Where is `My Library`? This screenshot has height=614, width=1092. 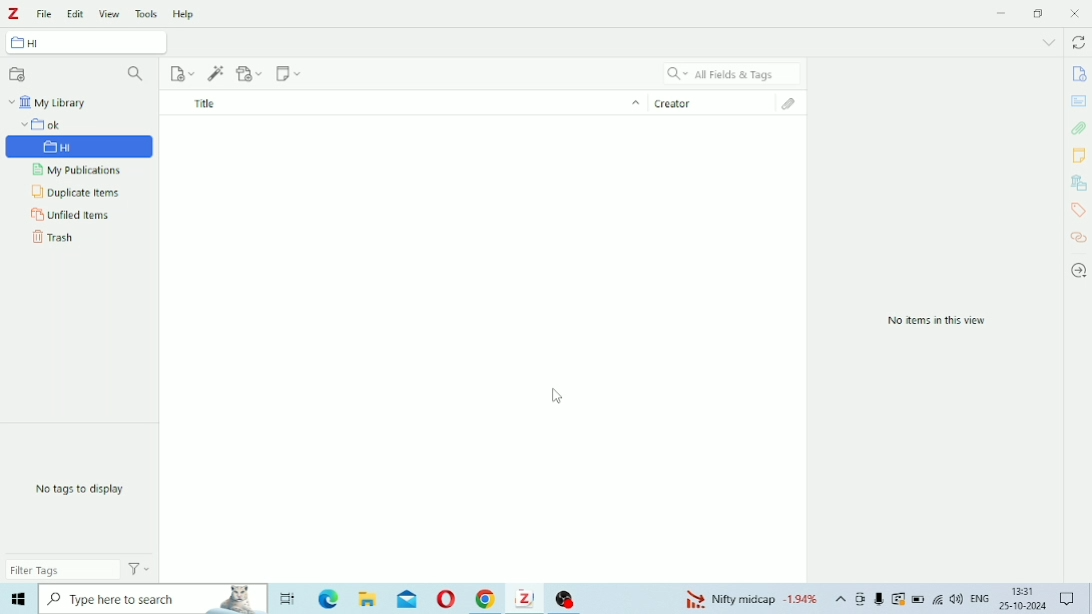 My Library is located at coordinates (49, 102).